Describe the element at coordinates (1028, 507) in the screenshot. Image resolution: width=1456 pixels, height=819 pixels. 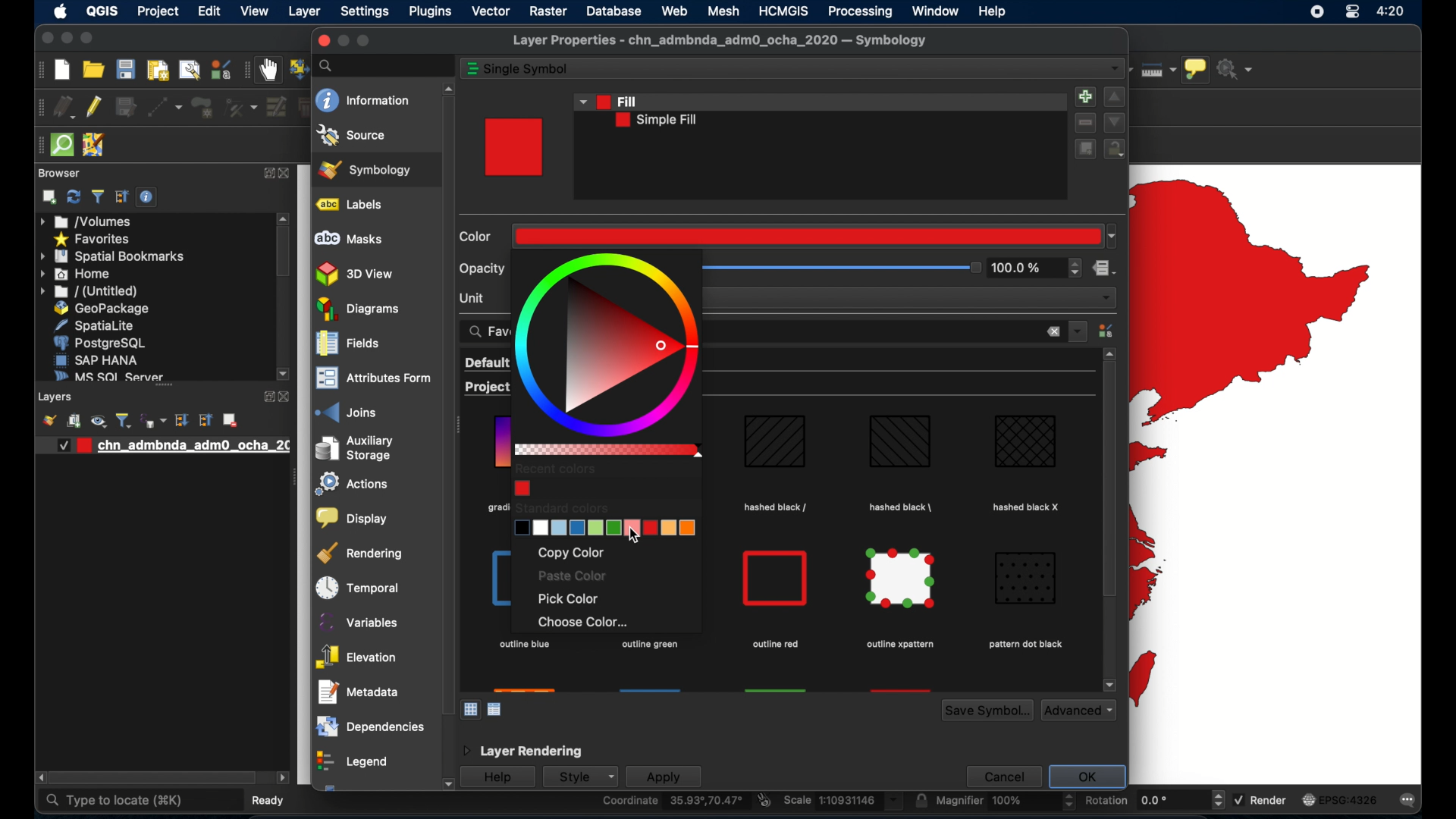
I see `hashed black x` at that location.